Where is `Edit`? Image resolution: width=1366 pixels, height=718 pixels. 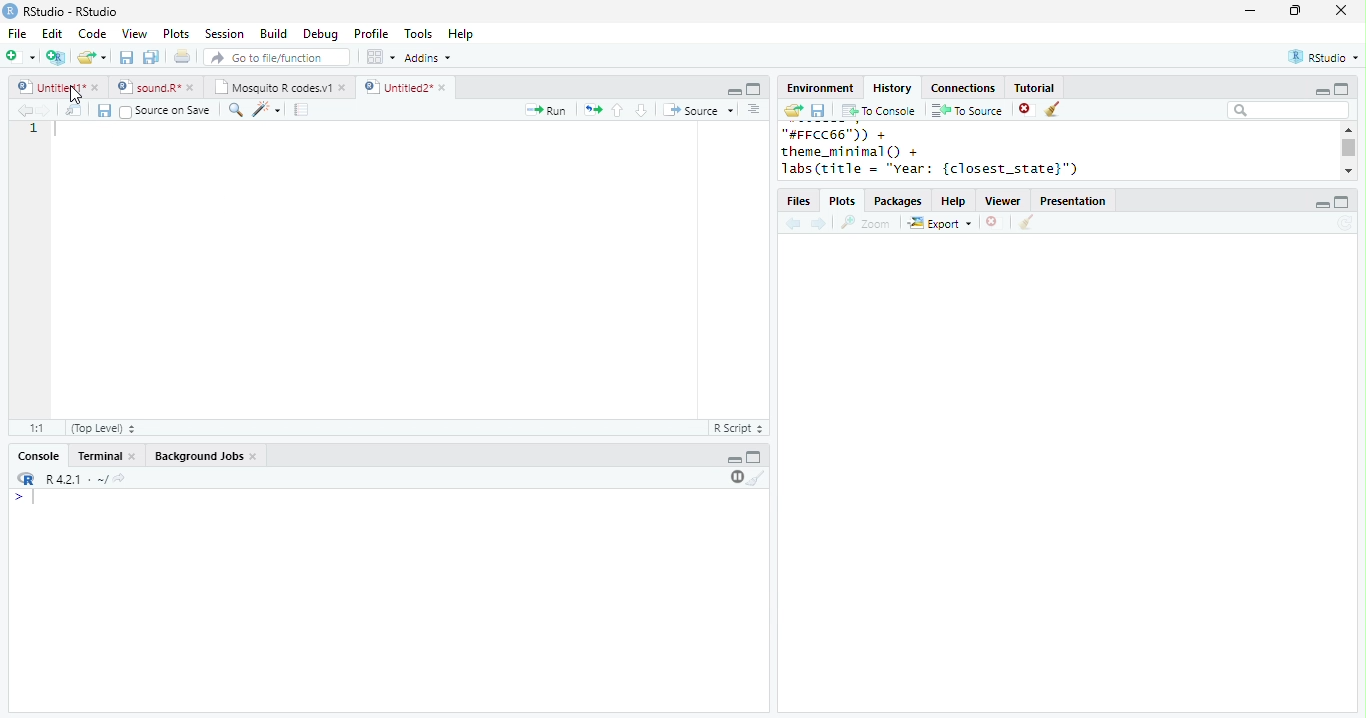
Edit is located at coordinates (52, 34).